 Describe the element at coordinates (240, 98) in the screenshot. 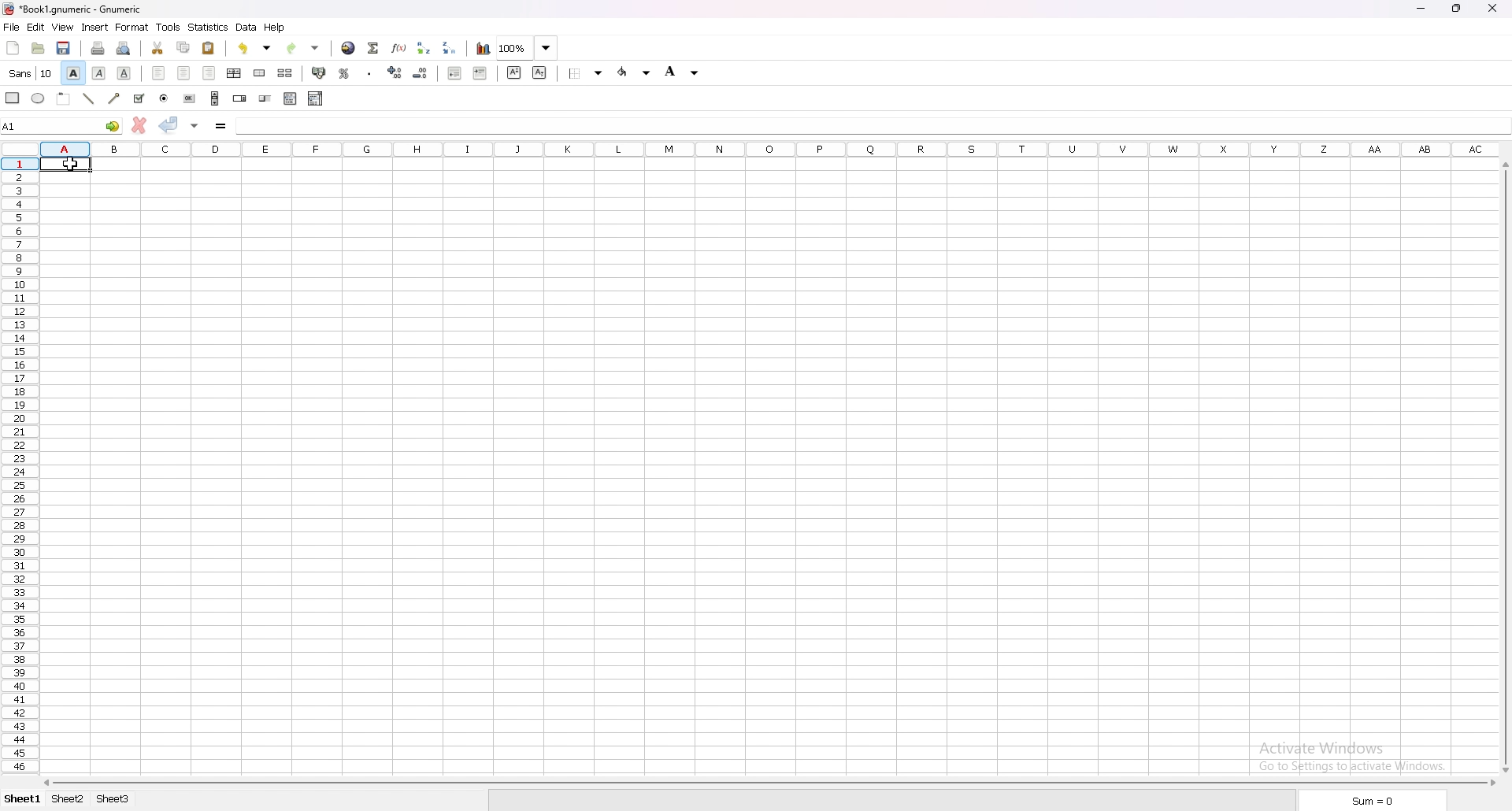

I see `spin button` at that location.